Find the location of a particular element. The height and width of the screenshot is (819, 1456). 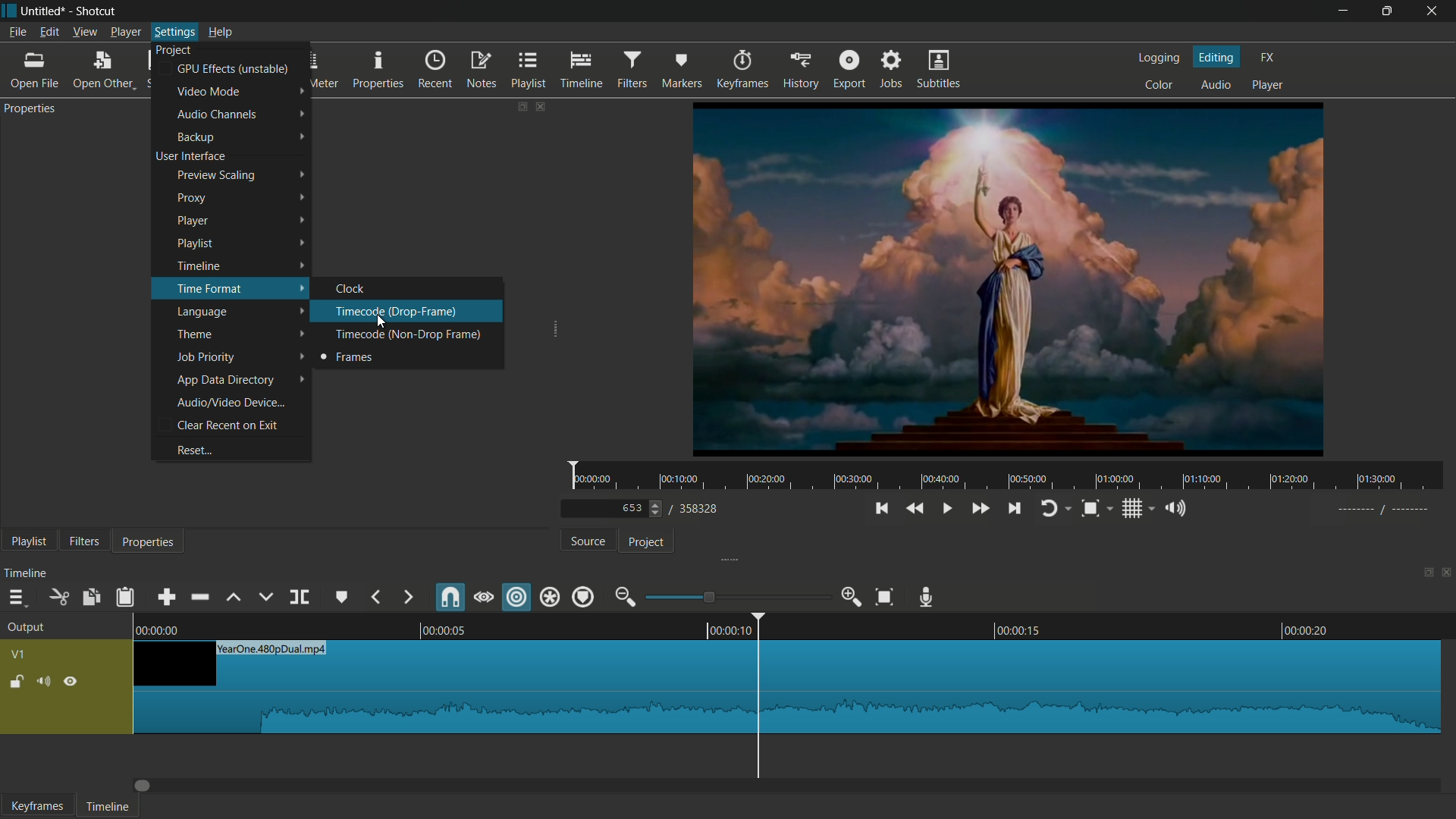

change layout is located at coordinates (522, 107).